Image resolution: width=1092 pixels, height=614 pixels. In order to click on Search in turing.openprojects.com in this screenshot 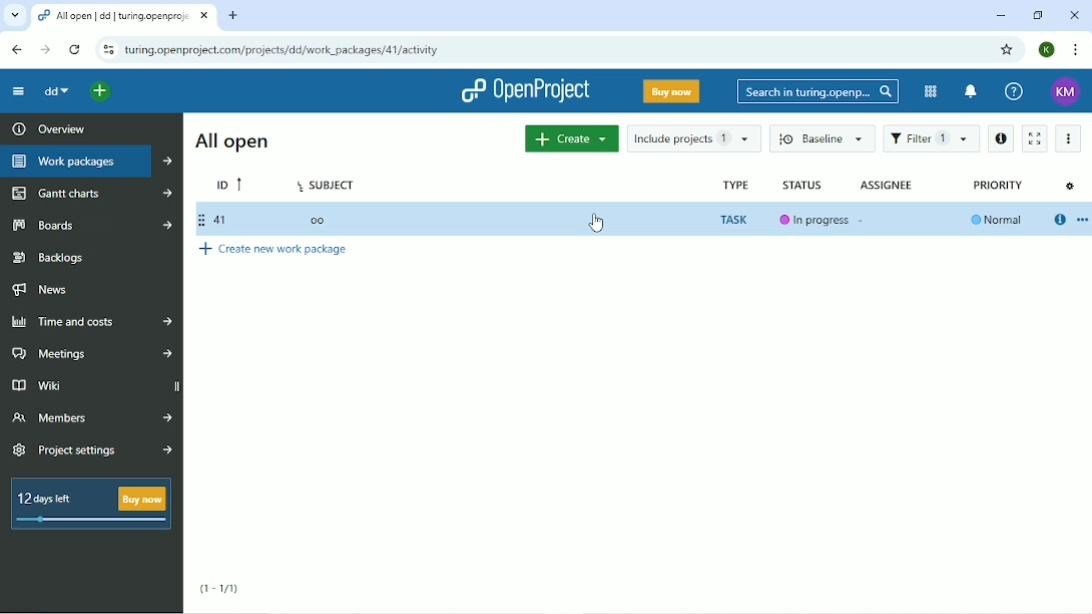, I will do `click(817, 91)`.